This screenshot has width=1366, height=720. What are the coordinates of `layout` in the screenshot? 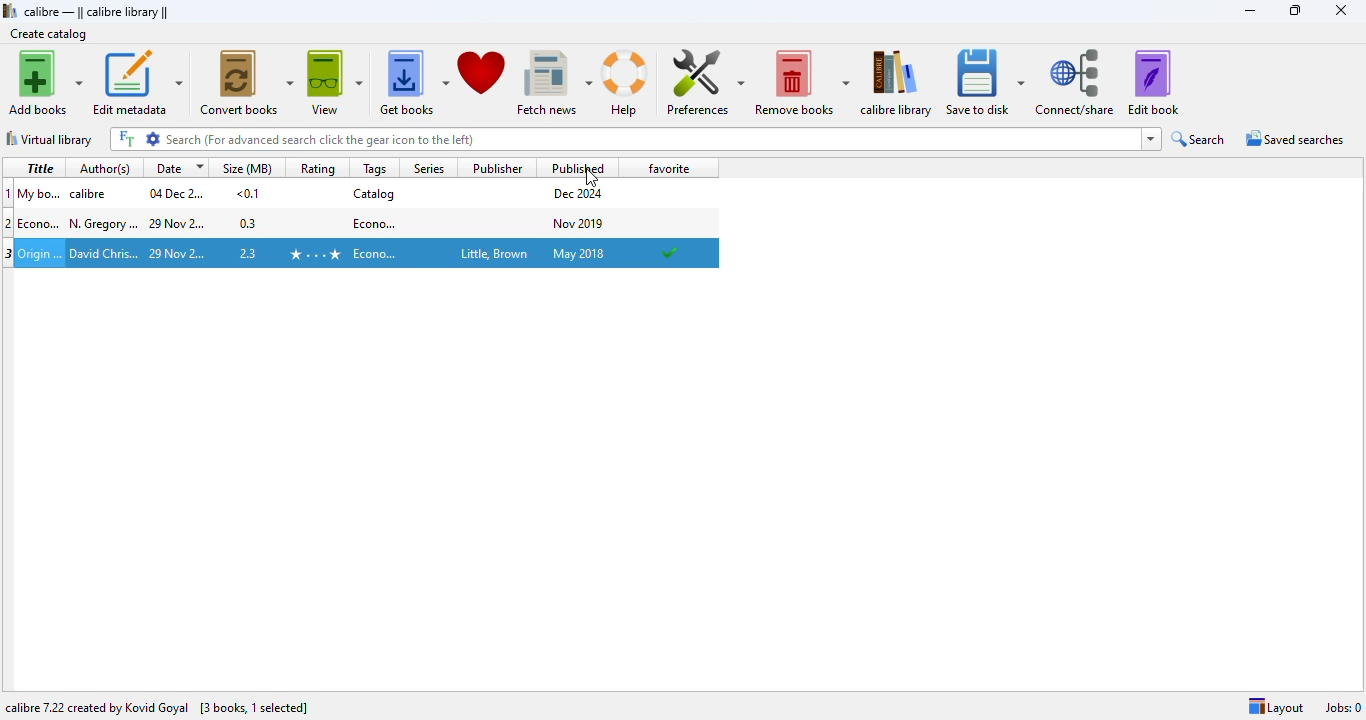 It's located at (1276, 707).